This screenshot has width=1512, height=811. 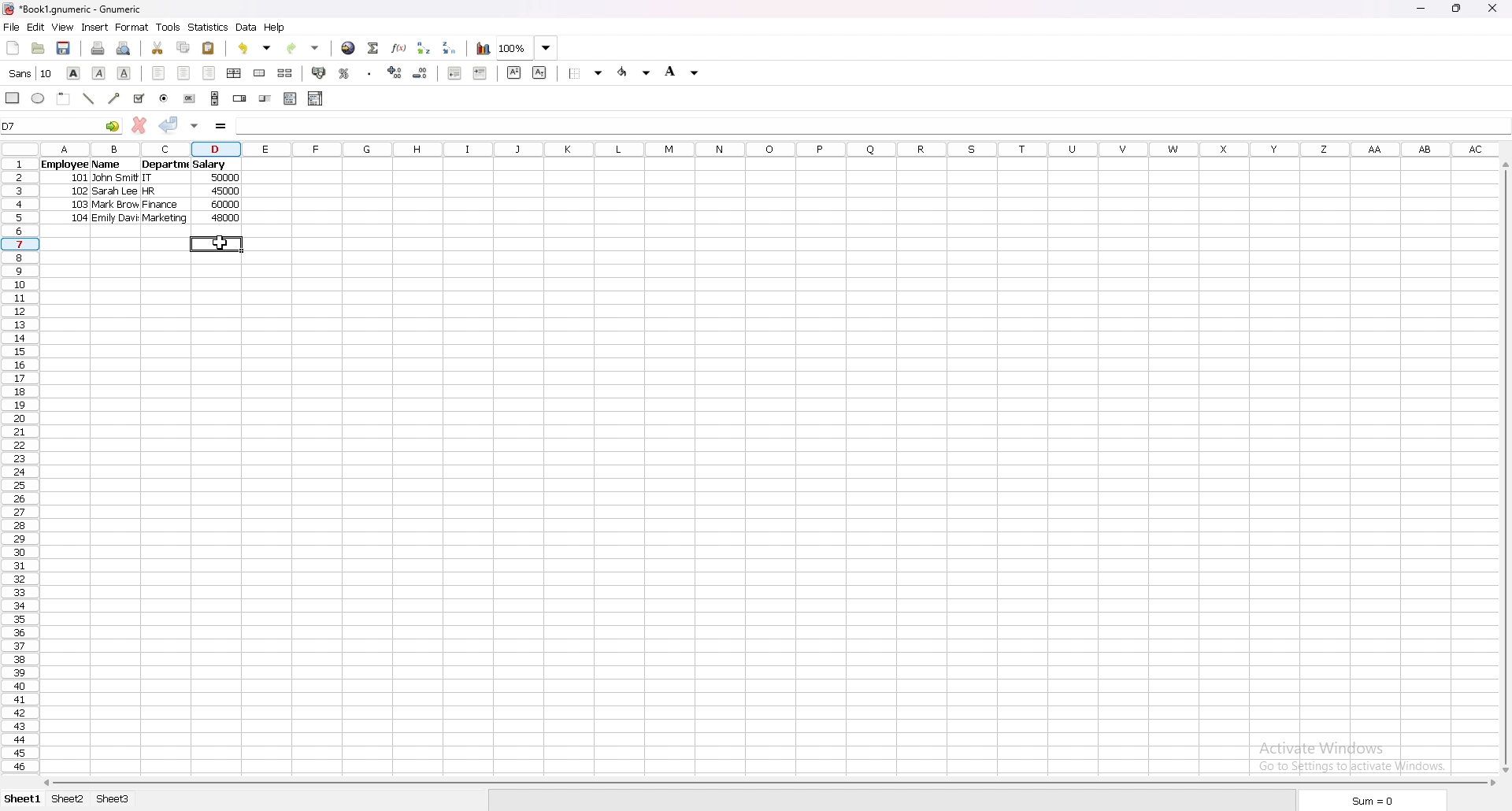 What do you see at coordinates (221, 127) in the screenshot?
I see `formula` at bounding box center [221, 127].